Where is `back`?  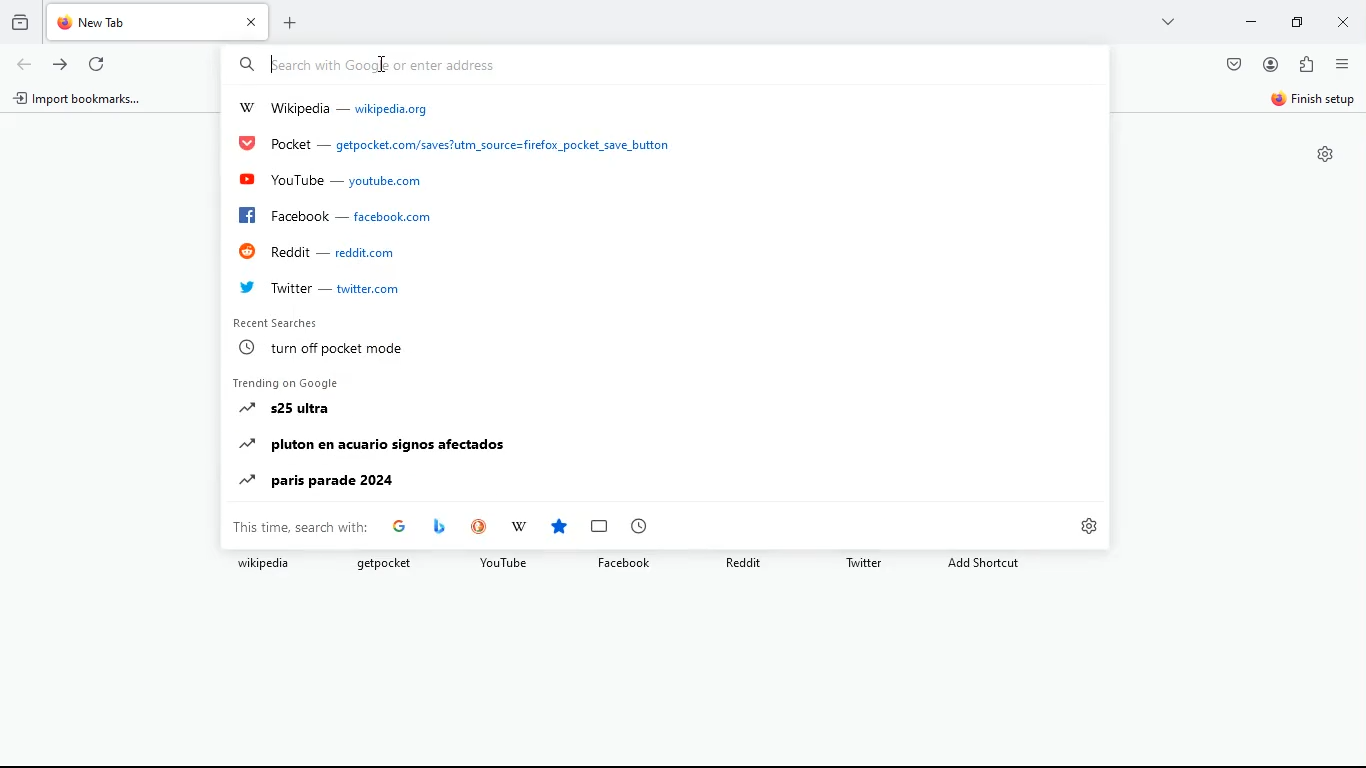
back is located at coordinates (23, 64).